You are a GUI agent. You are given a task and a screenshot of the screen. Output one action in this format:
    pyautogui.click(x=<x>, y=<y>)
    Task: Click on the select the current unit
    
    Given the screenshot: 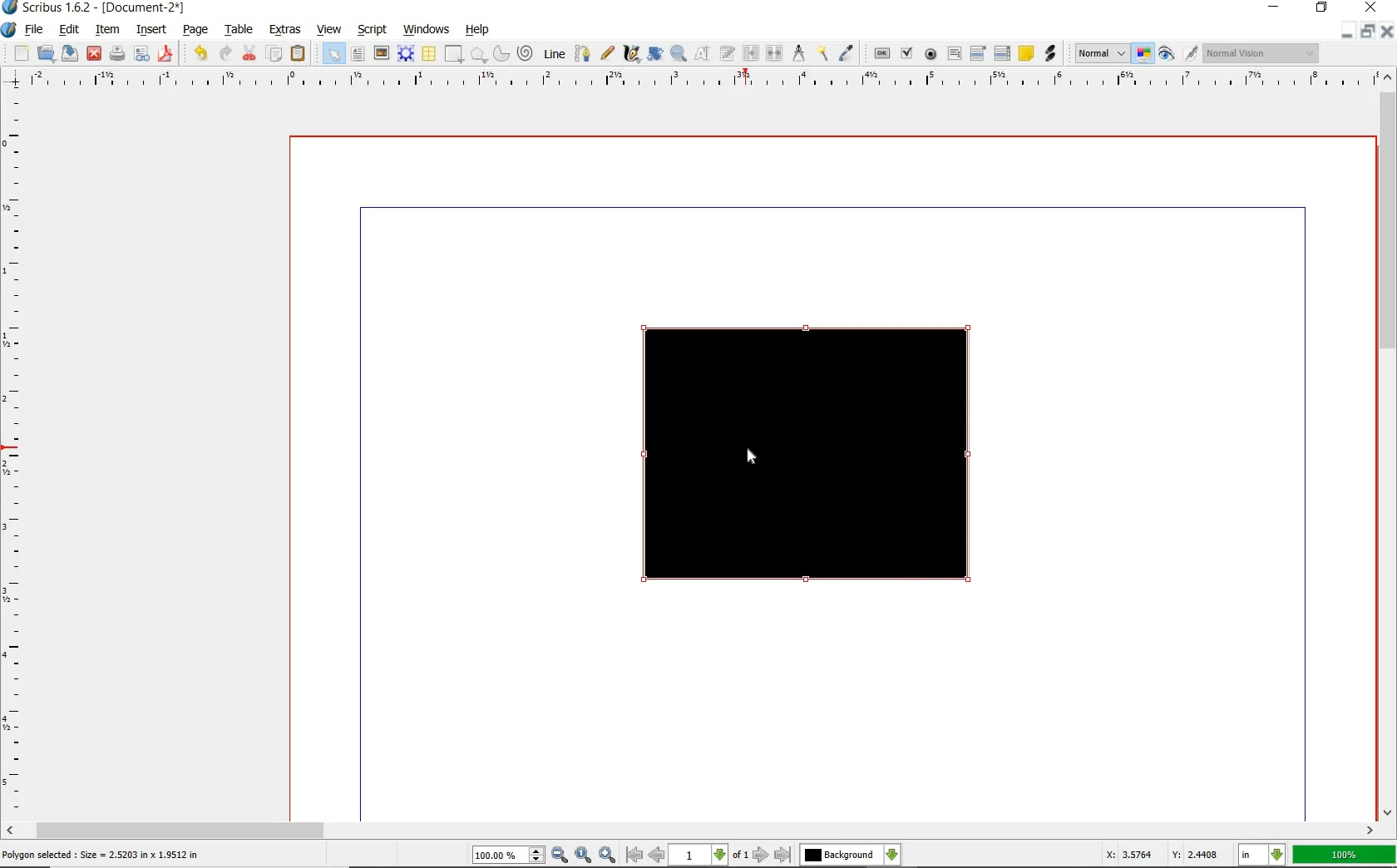 What is the action you would take?
    pyautogui.click(x=1263, y=856)
    